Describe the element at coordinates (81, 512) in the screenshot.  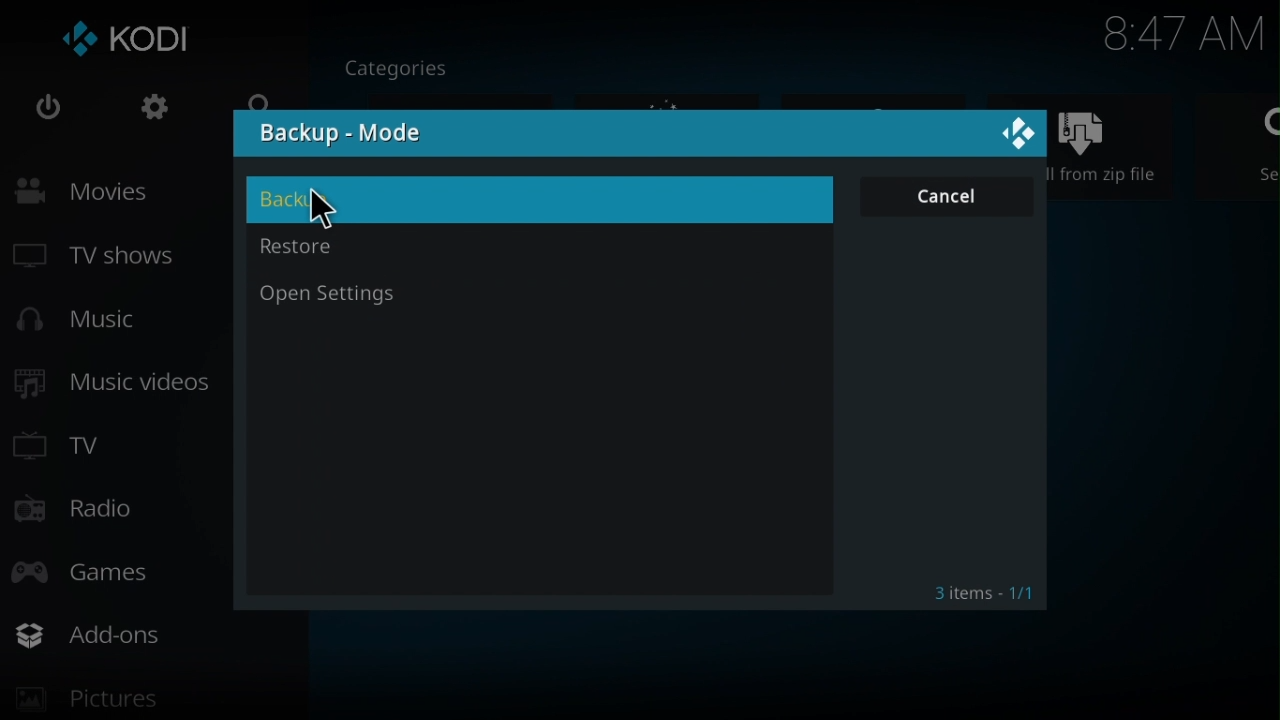
I see `Radio ` at that location.